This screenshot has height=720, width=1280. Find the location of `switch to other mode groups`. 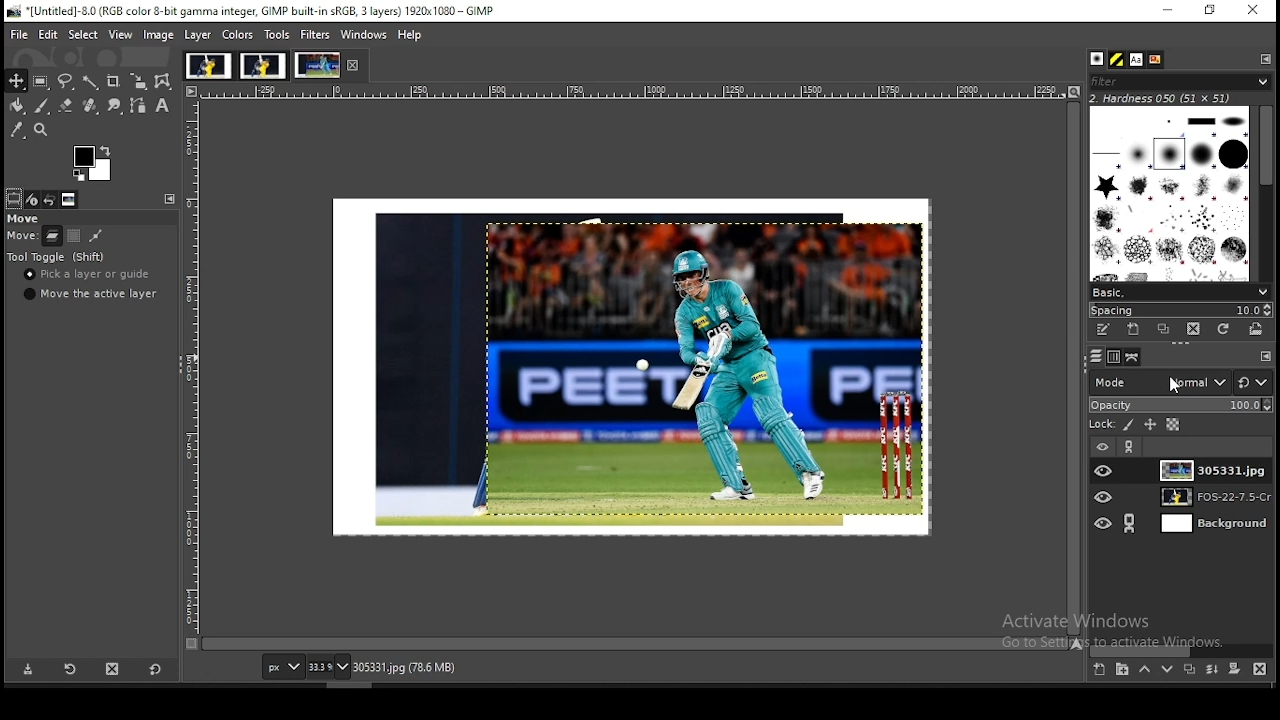

switch to other mode groups is located at coordinates (1254, 382).